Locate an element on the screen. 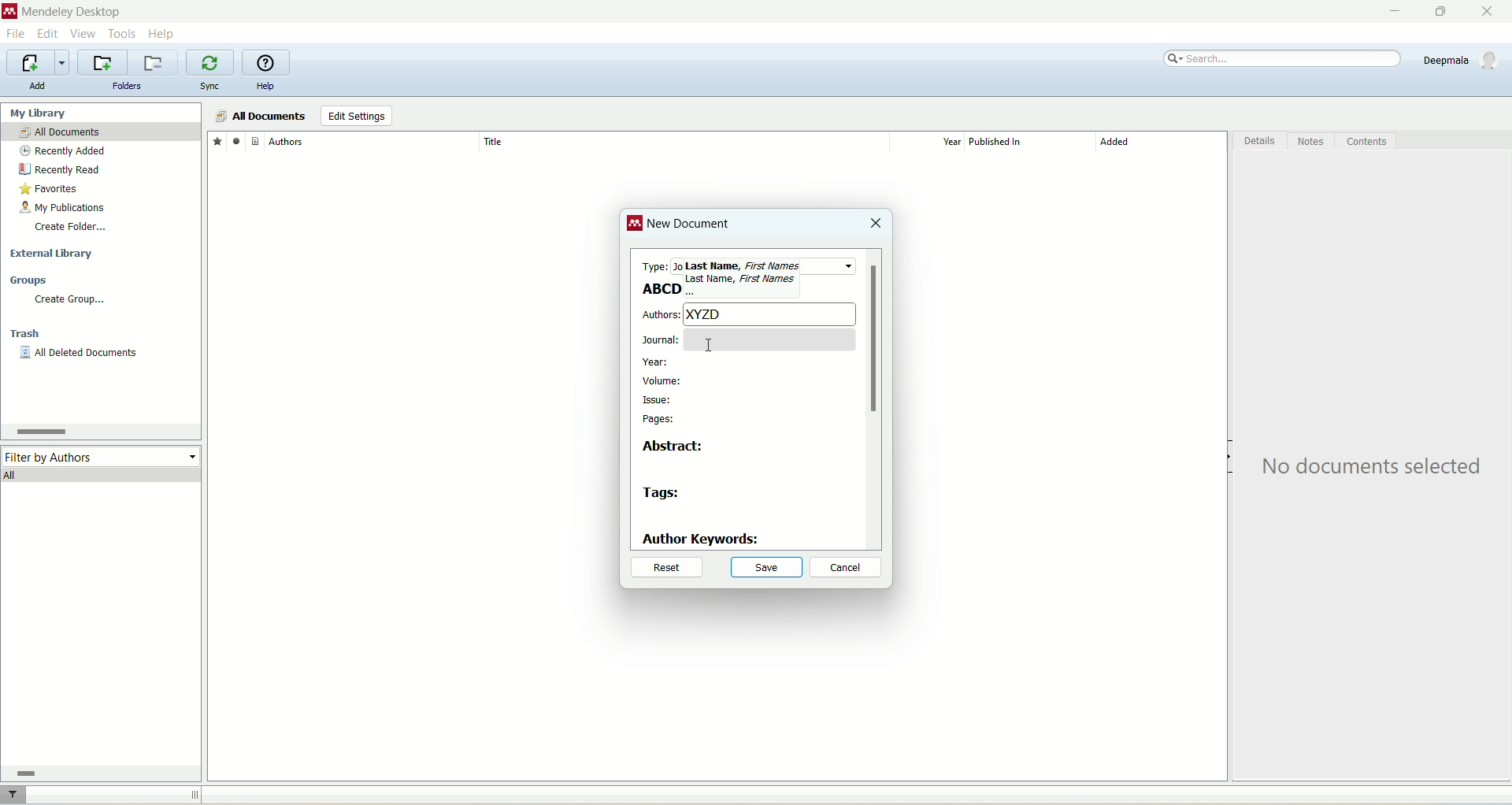  account is located at coordinates (1463, 60).